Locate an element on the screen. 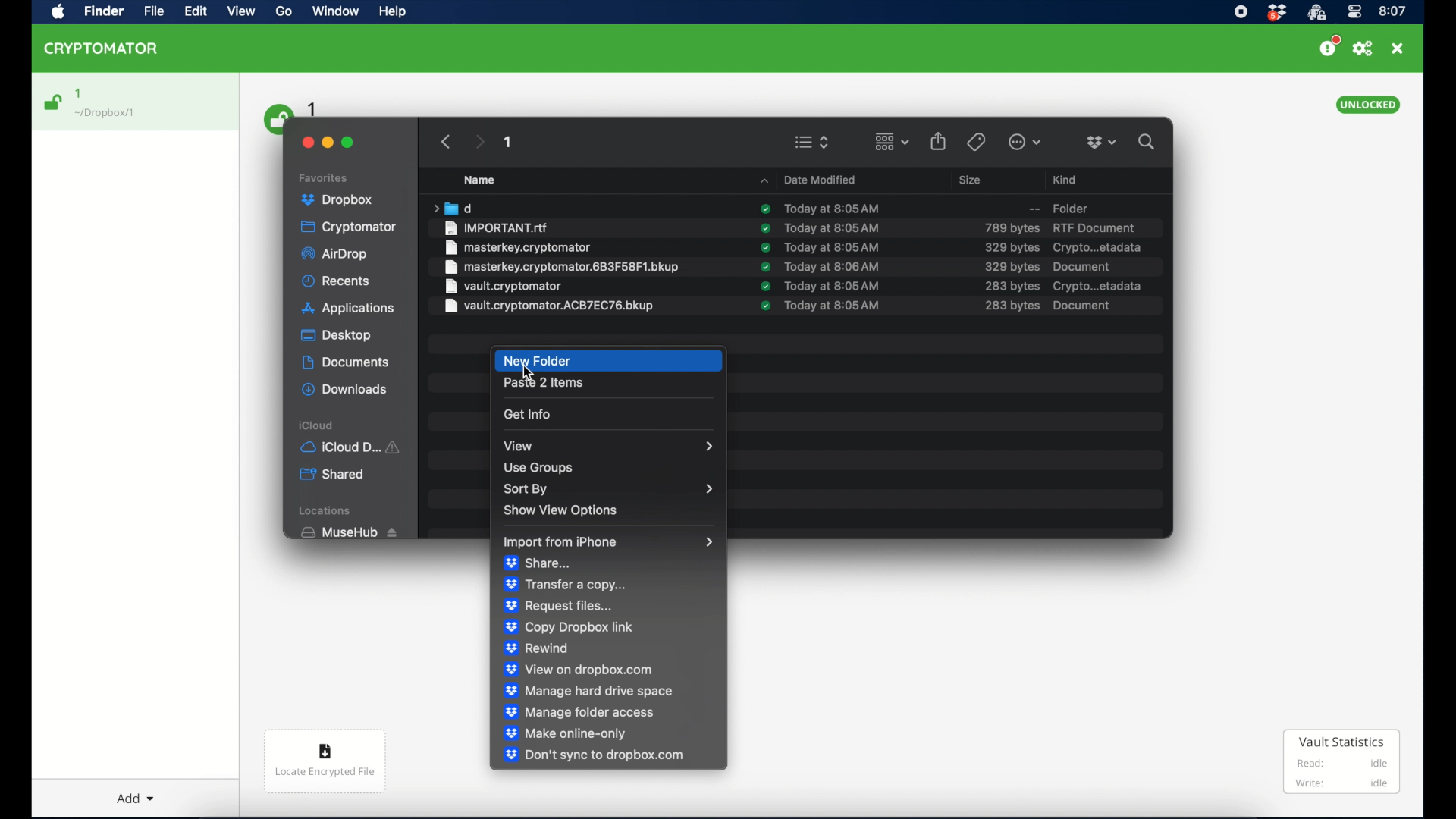 Image resolution: width=1456 pixels, height=819 pixels. size is located at coordinates (1011, 247).